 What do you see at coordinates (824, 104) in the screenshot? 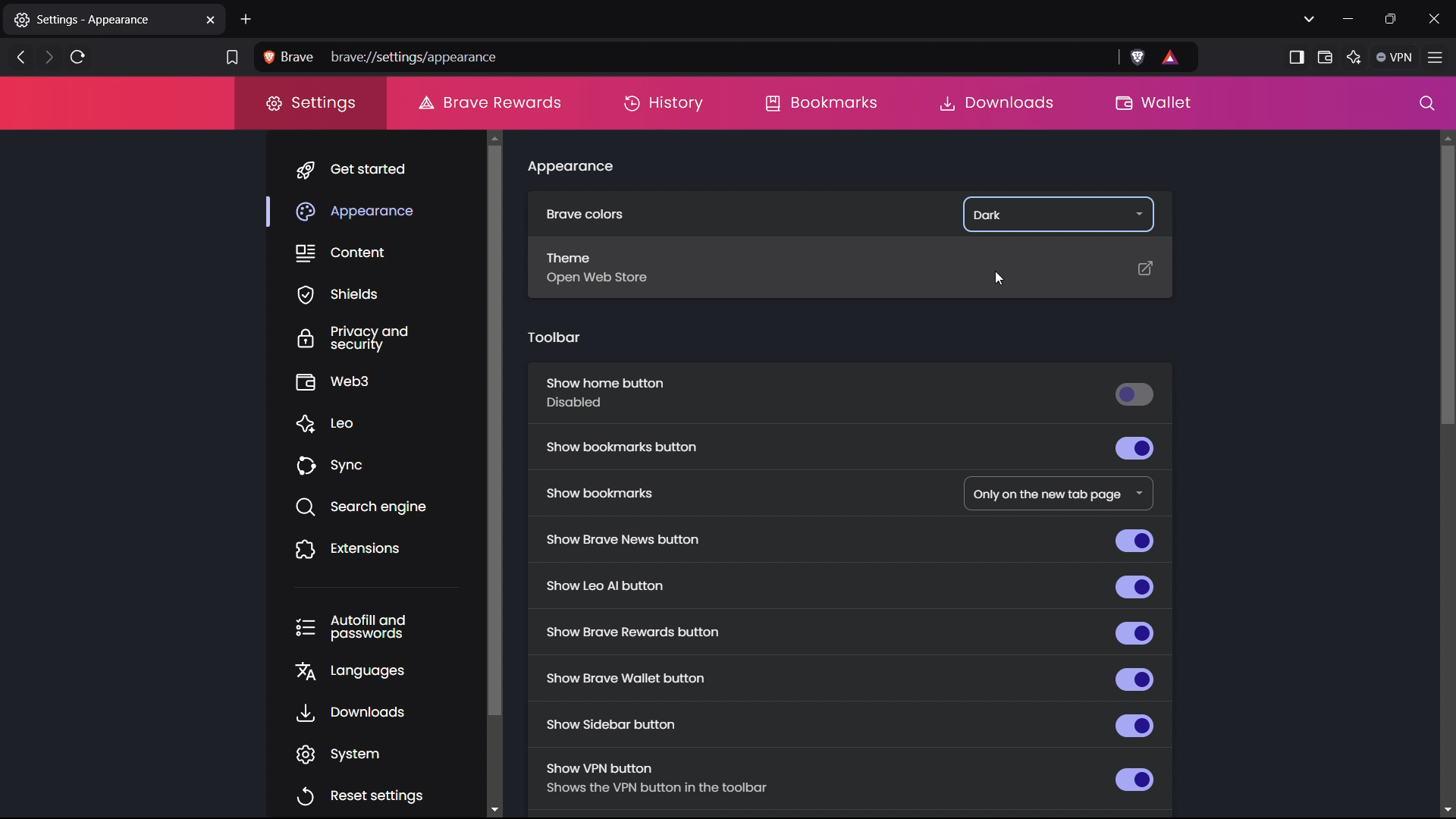
I see `bookmarks` at bounding box center [824, 104].